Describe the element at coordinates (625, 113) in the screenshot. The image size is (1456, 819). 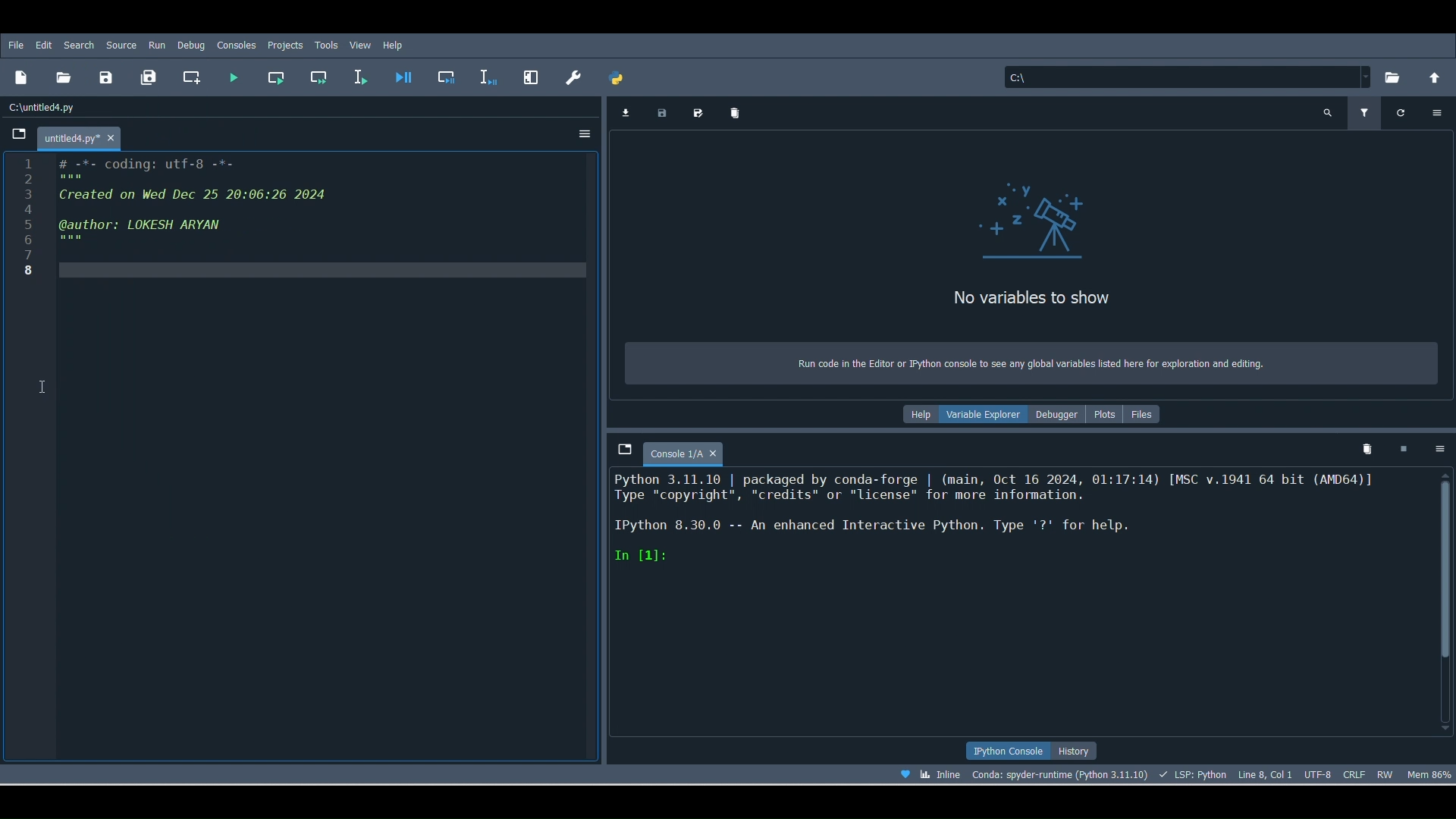
I see `Import data` at that location.